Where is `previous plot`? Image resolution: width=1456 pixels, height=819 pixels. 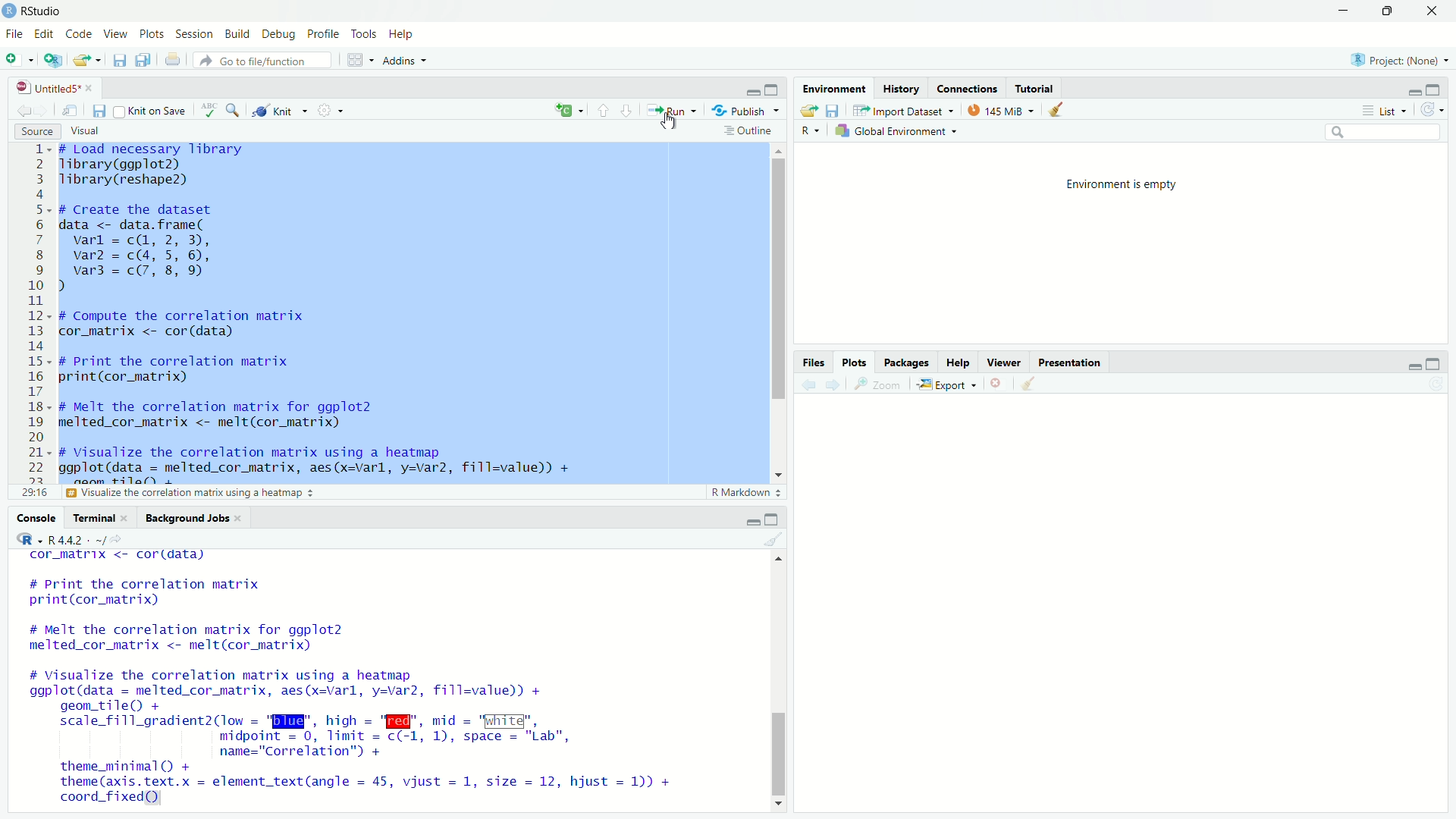 previous plot is located at coordinates (807, 384).